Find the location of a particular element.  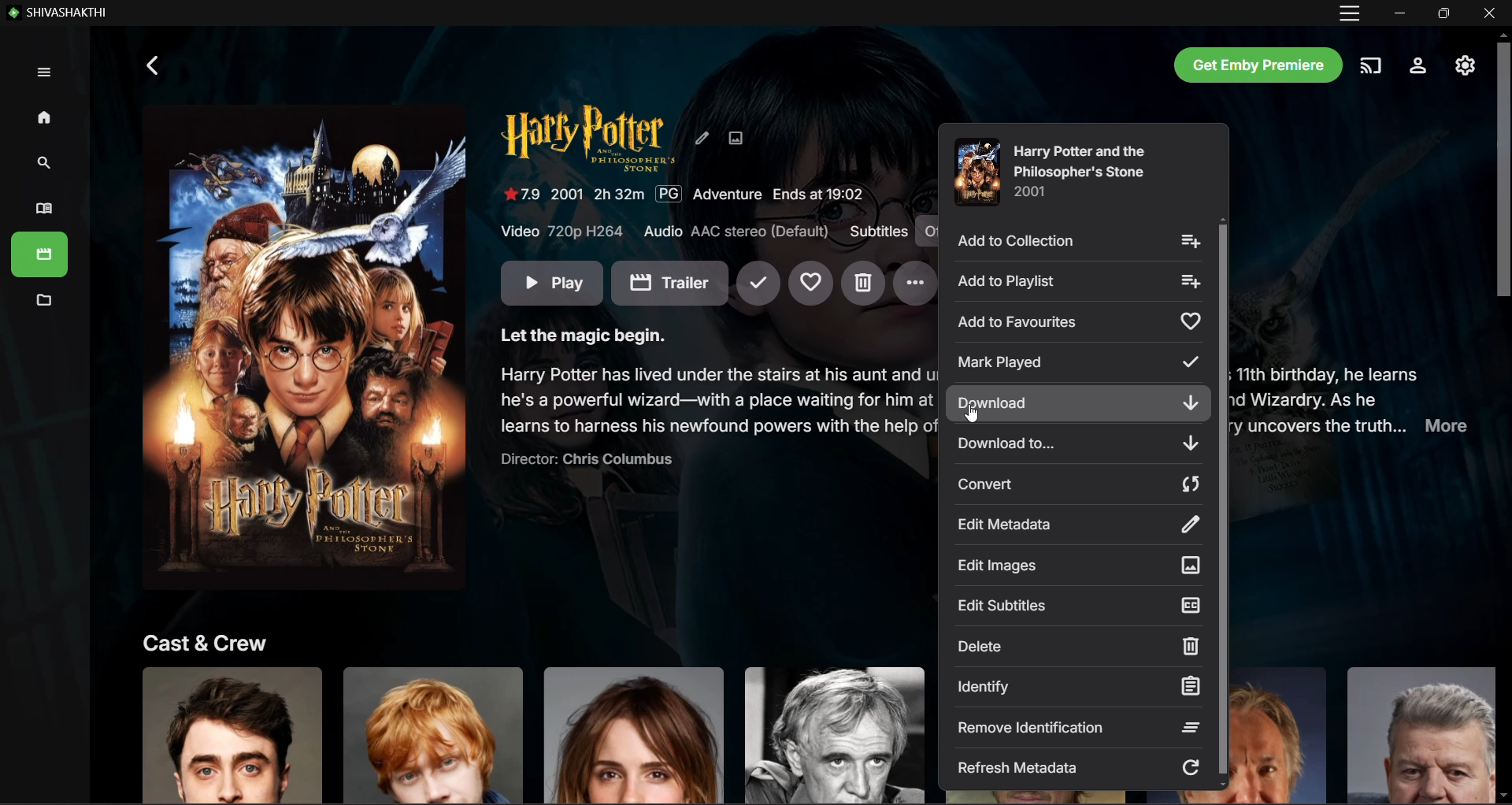

Movie Title is located at coordinates (588, 138).